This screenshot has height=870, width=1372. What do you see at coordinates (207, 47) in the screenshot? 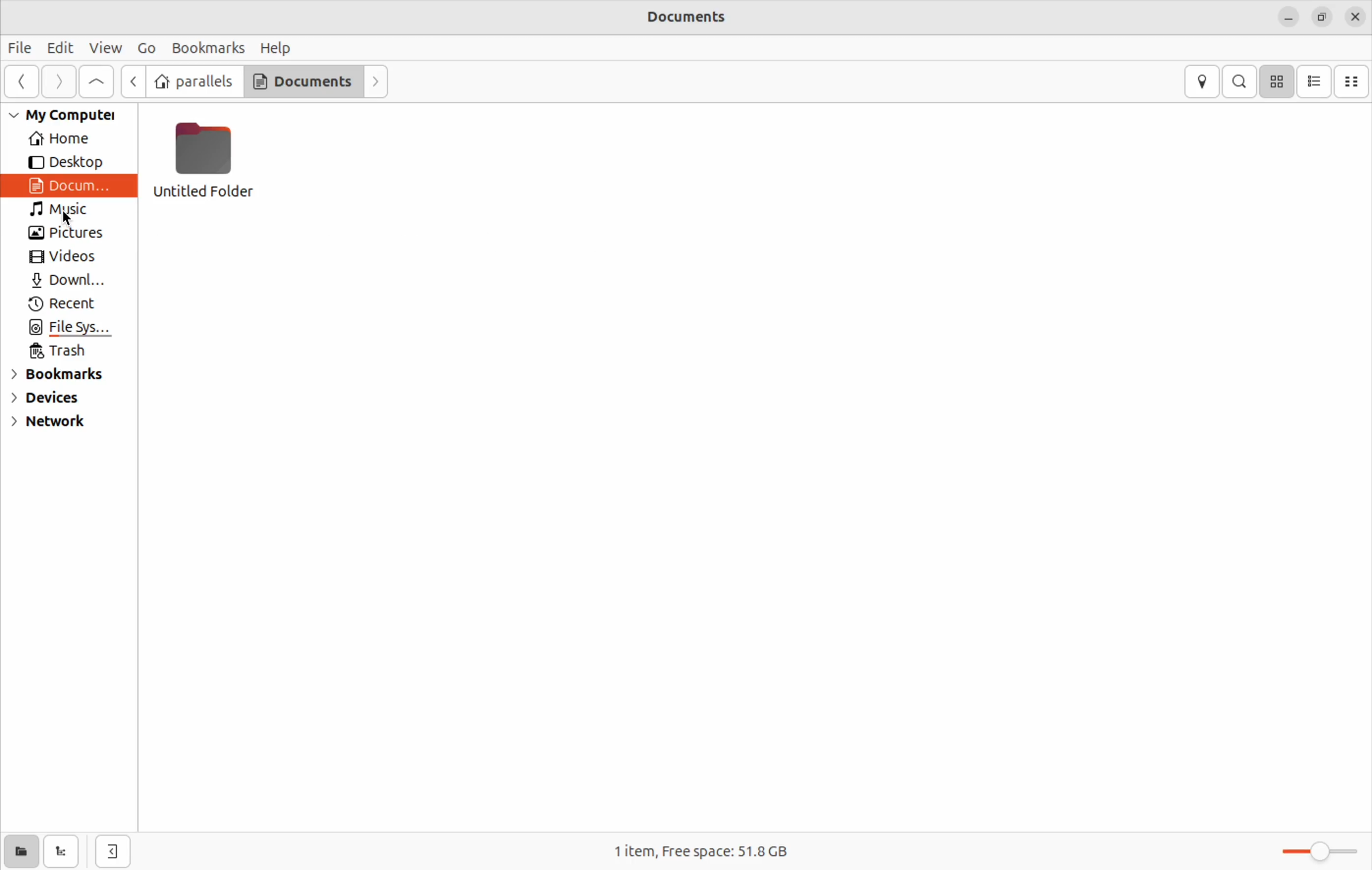
I see `Bookmarks` at bounding box center [207, 47].